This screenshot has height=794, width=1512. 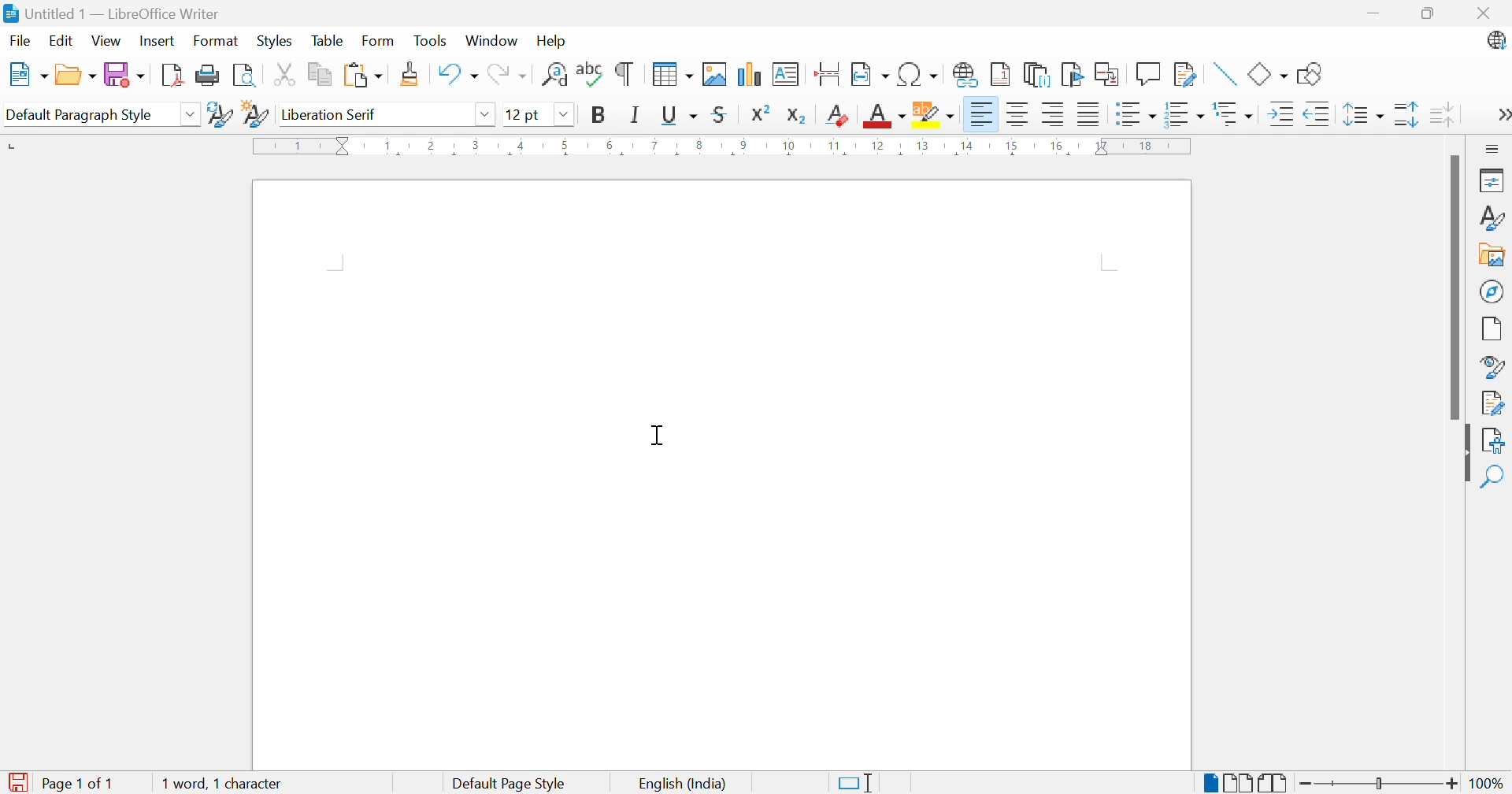 What do you see at coordinates (413, 74) in the screenshot?
I see `Clone formatting` at bounding box center [413, 74].